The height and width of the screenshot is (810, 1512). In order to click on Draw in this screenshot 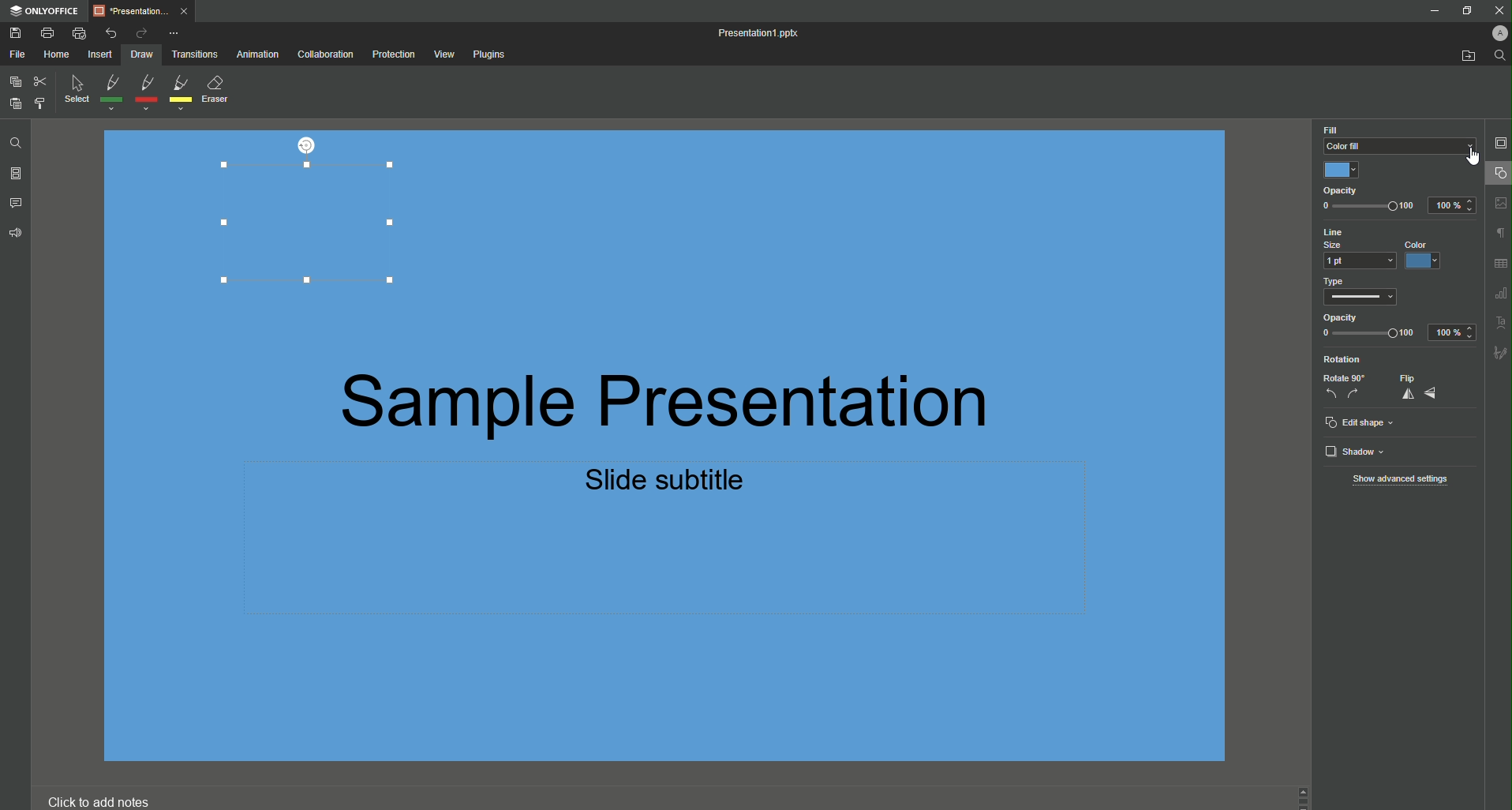, I will do `click(141, 56)`.